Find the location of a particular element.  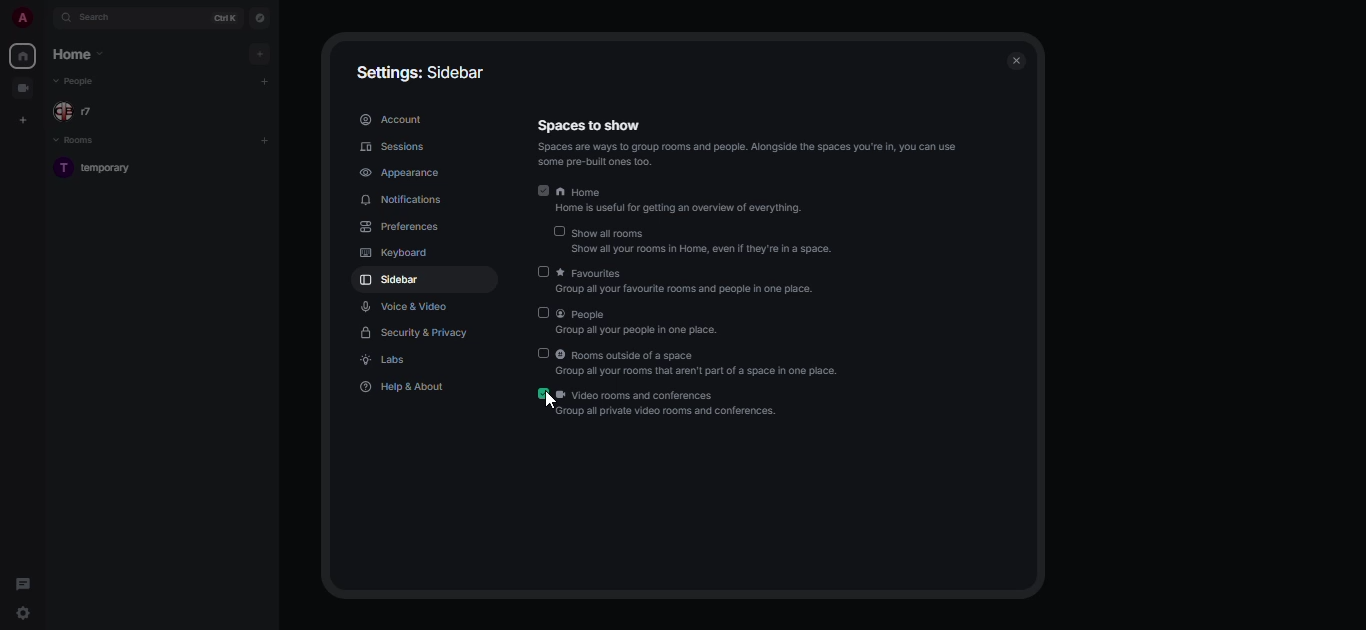

account is located at coordinates (390, 118).